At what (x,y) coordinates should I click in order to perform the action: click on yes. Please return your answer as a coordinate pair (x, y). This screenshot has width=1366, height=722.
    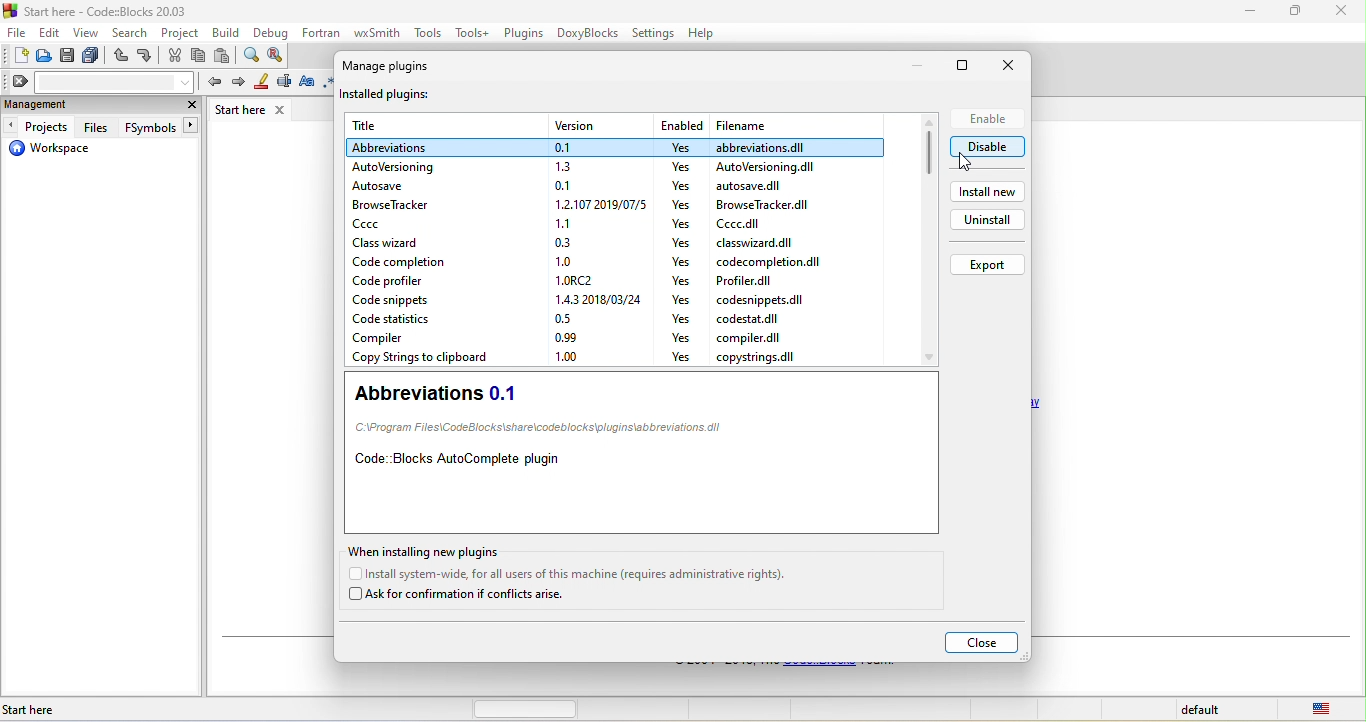
    Looking at the image, I should click on (681, 167).